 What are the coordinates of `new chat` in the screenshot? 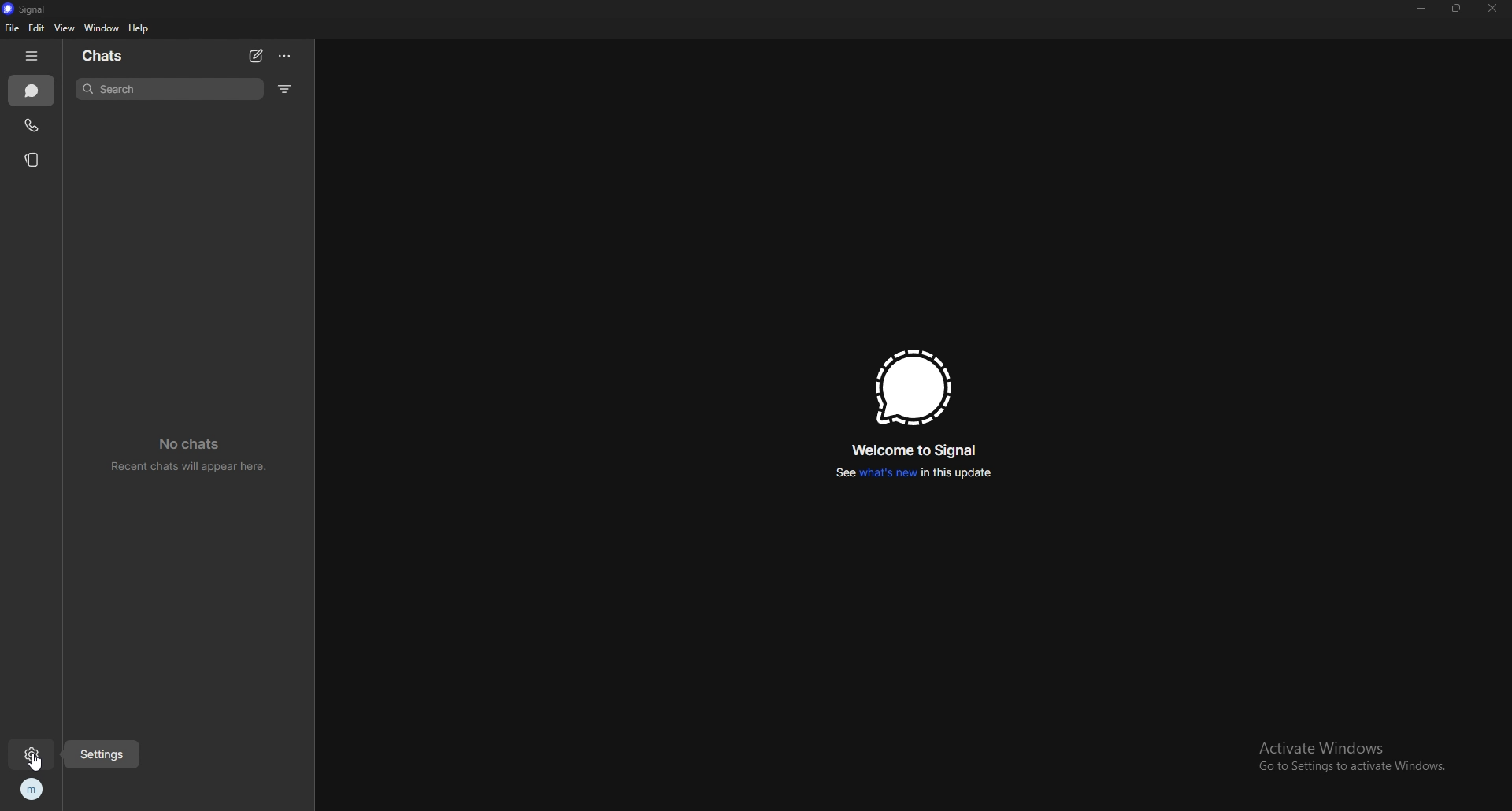 It's located at (256, 56).